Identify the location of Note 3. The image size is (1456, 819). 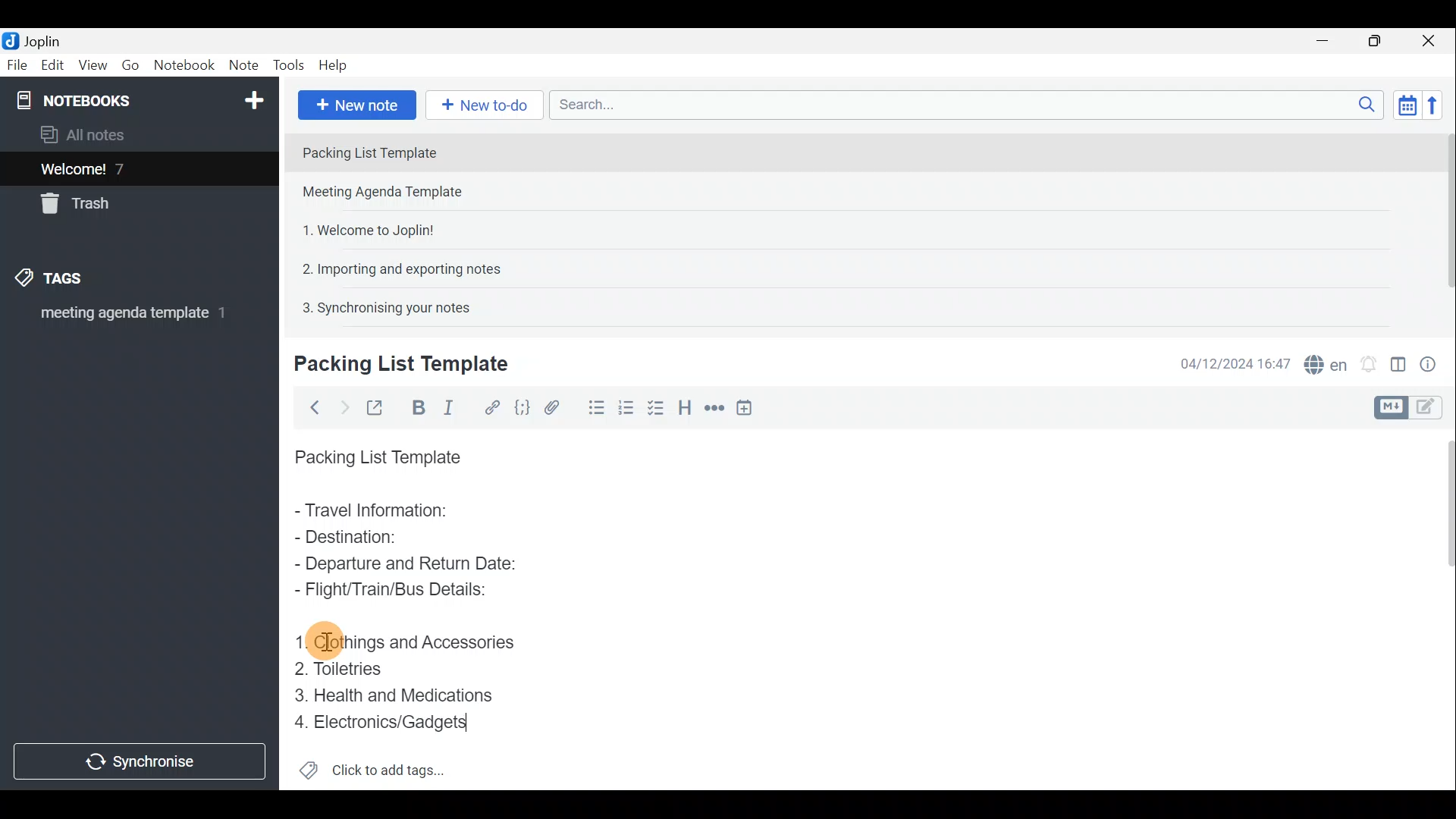
(362, 228).